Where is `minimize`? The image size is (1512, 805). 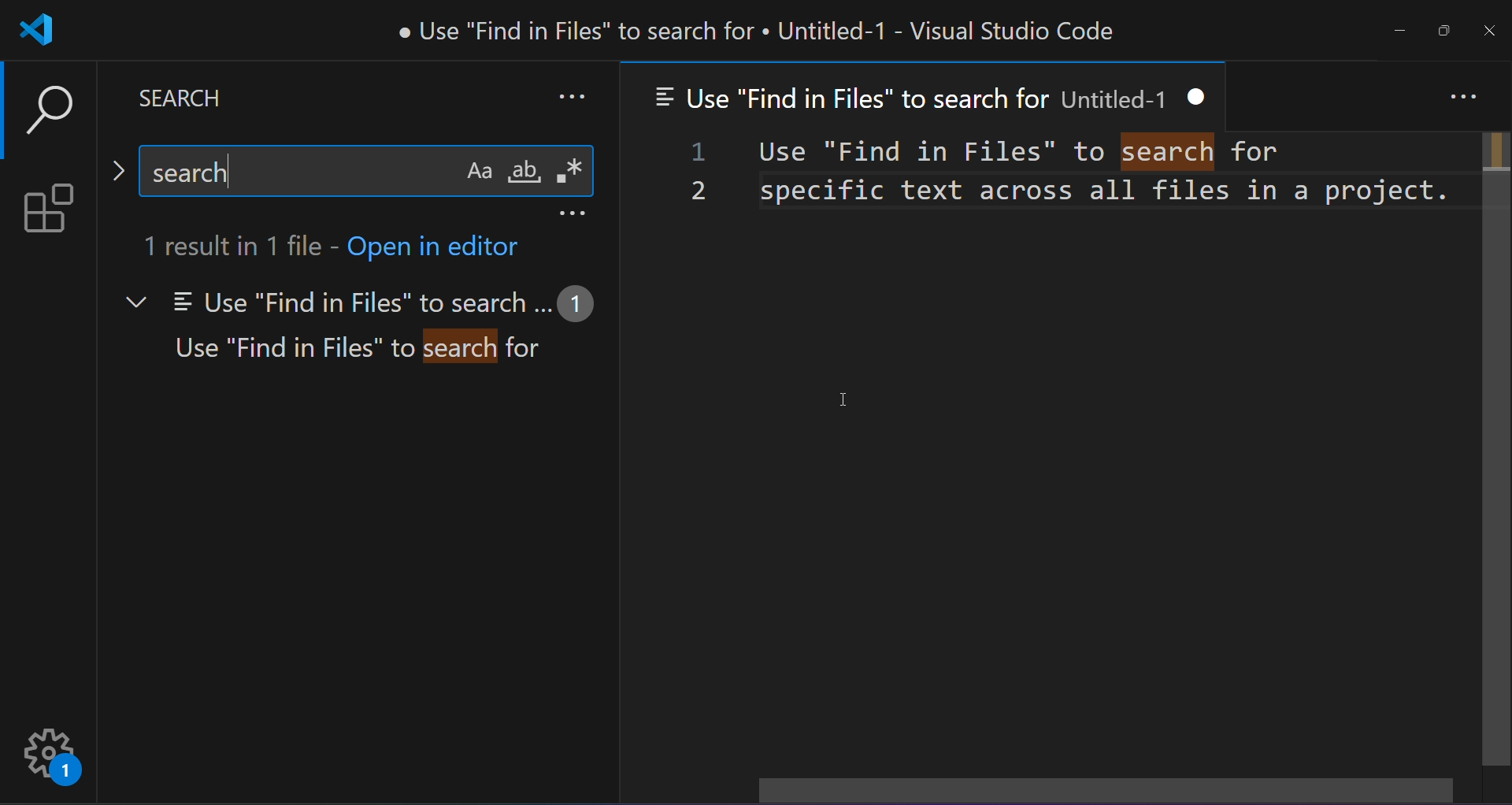
minimize is located at coordinates (1398, 29).